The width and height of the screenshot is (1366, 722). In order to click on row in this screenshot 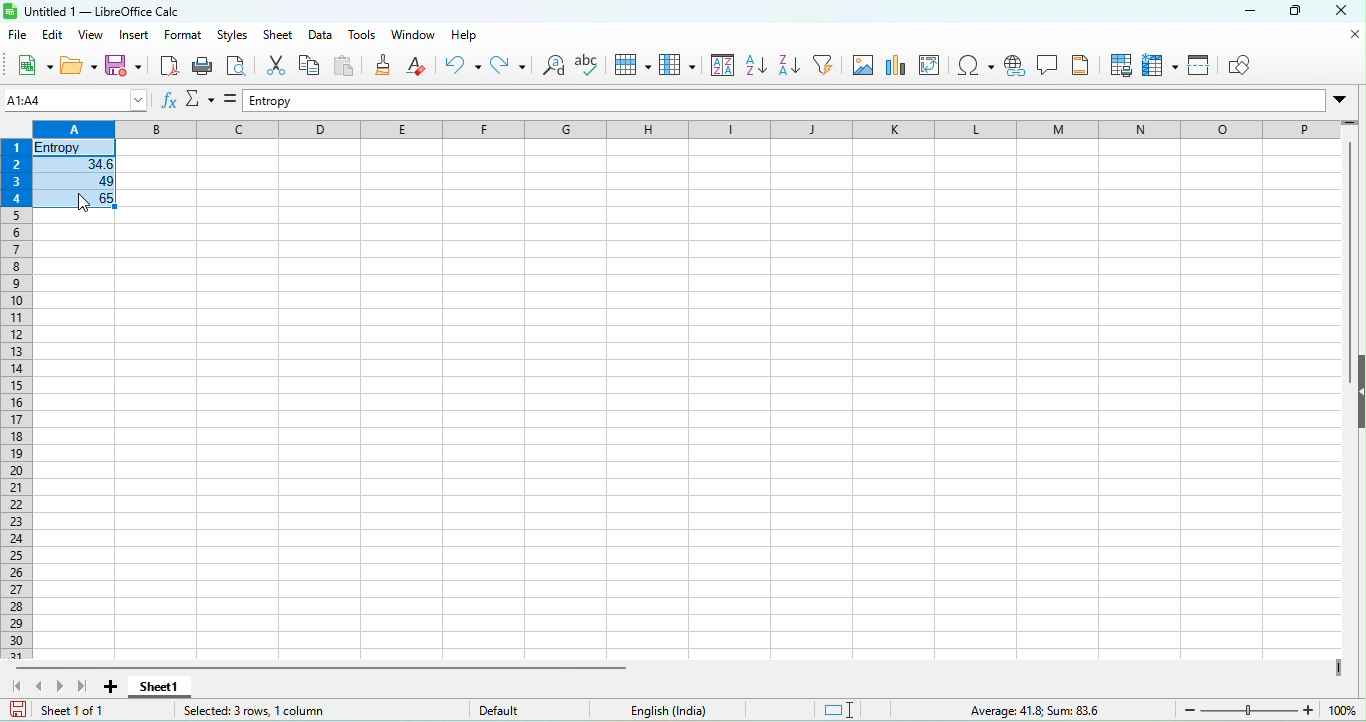, I will do `click(630, 64)`.